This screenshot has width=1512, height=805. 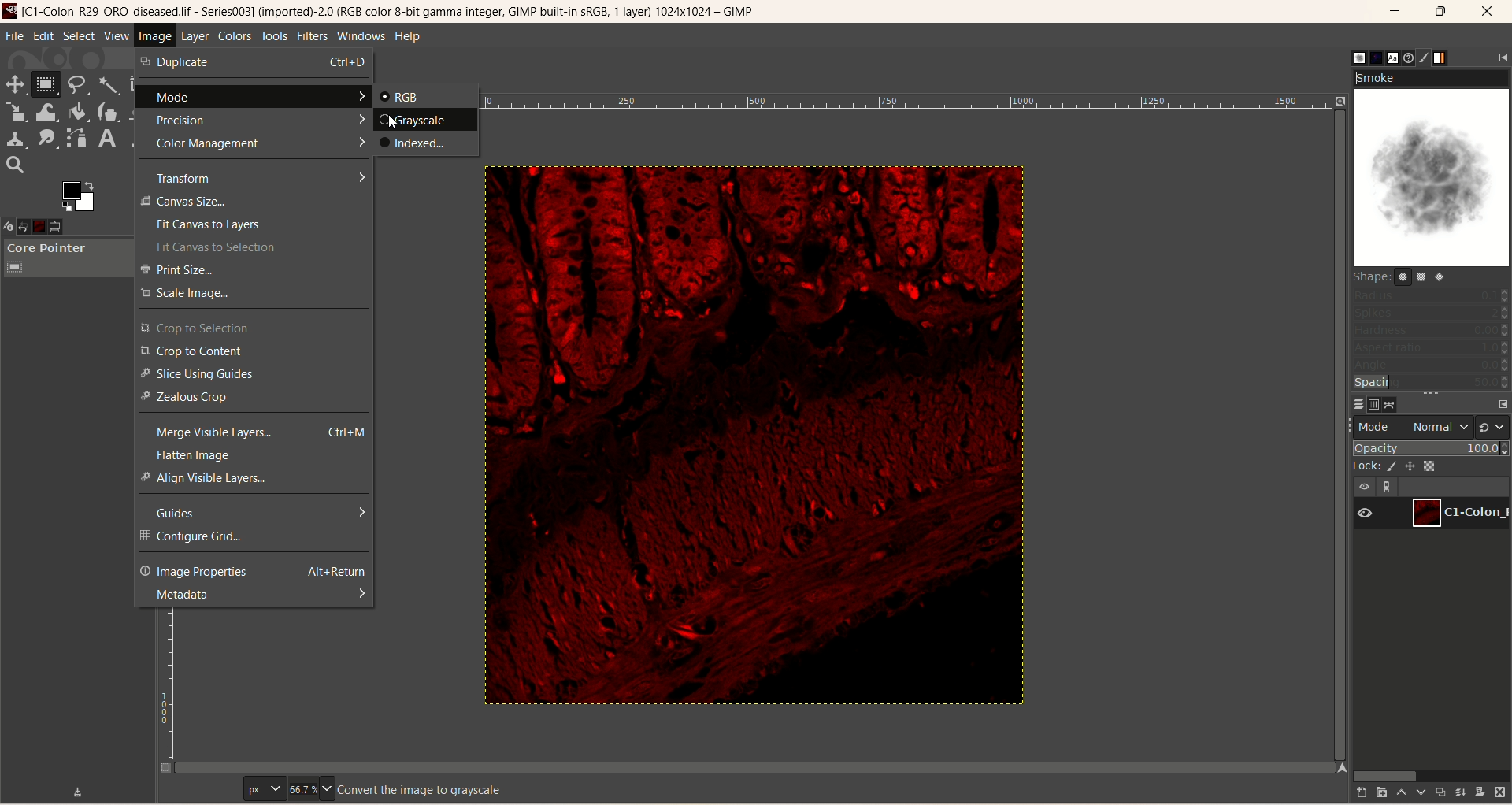 I want to click on undo history, so click(x=24, y=227).